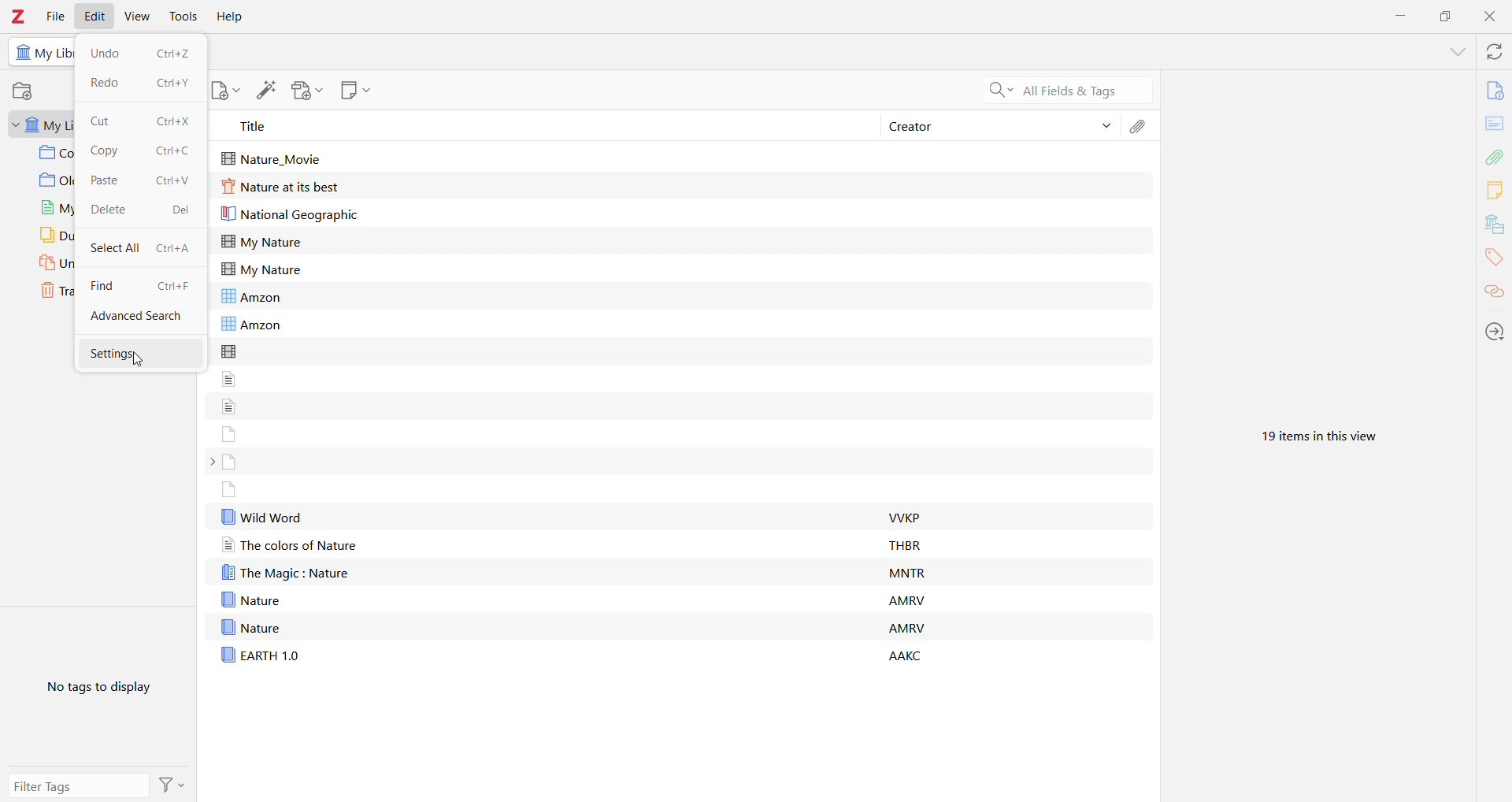 The image size is (1512, 802). Describe the element at coordinates (266, 89) in the screenshot. I see `Add Item(s) by Identifier` at that location.